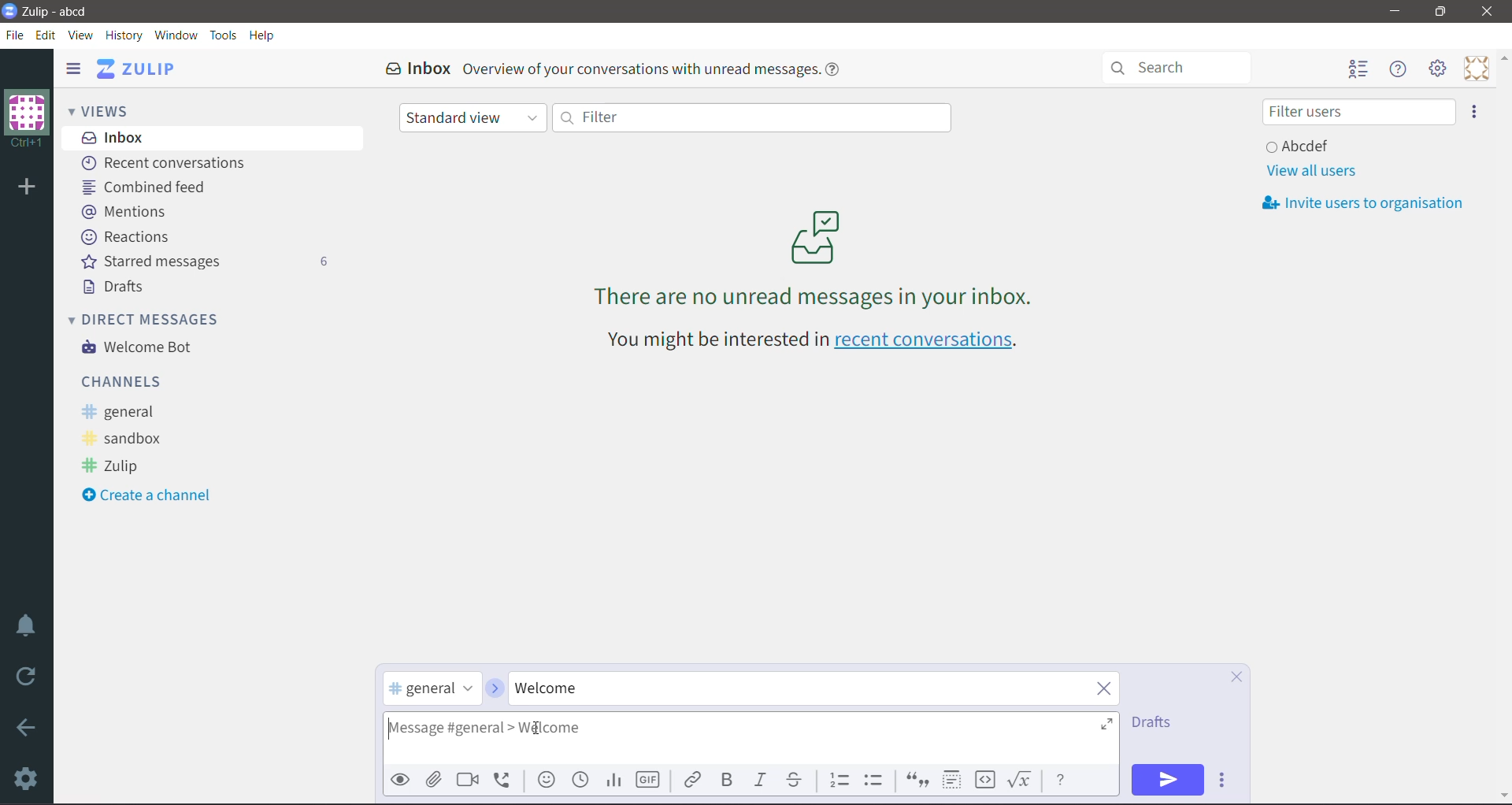 The width and height of the screenshot is (1512, 805). Describe the element at coordinates (787, 688) in the screenshot. I see `Type the required Topic` at that location.